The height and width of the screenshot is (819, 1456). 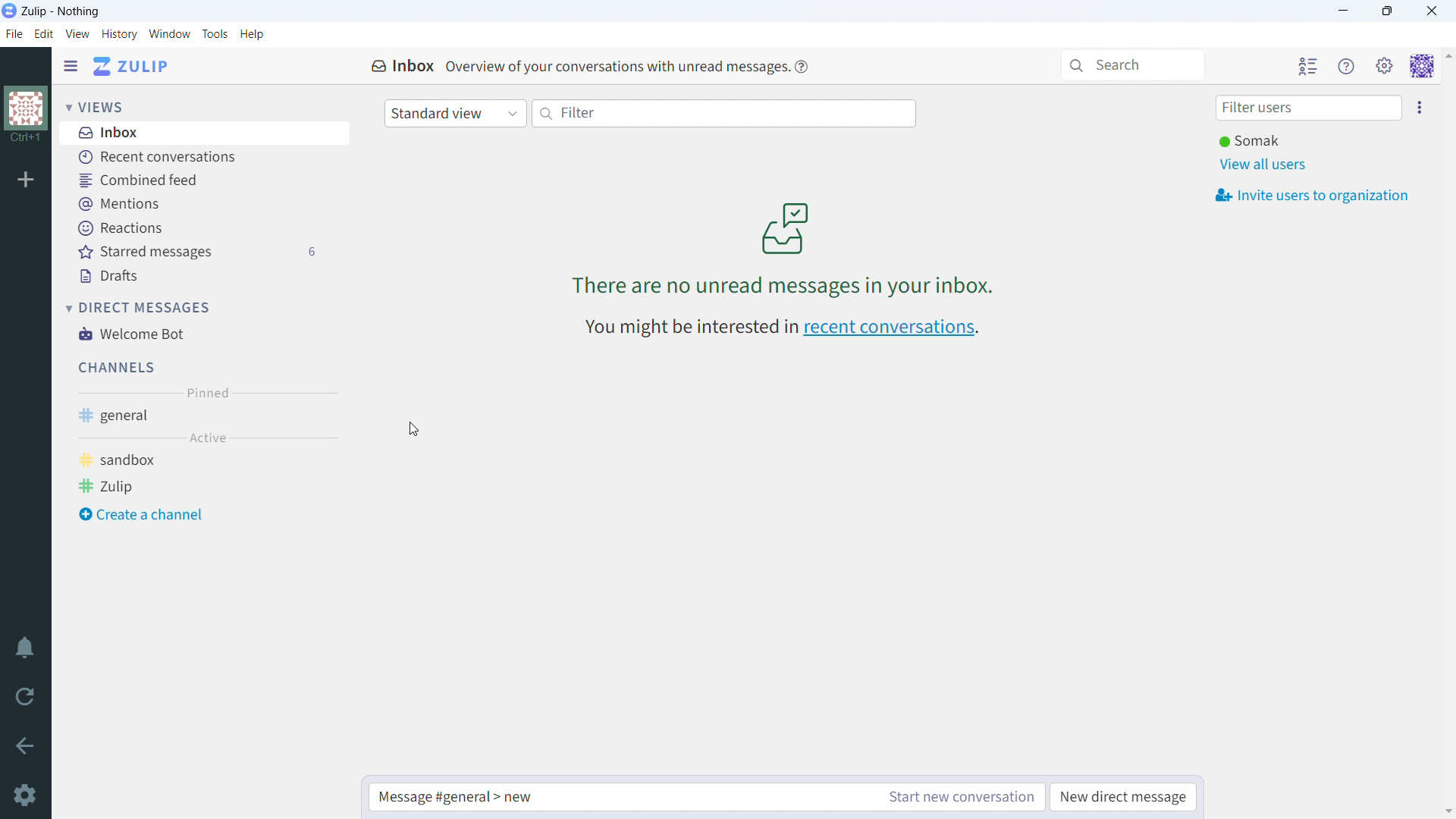 I want to click on view, so click(x=77, y=33).